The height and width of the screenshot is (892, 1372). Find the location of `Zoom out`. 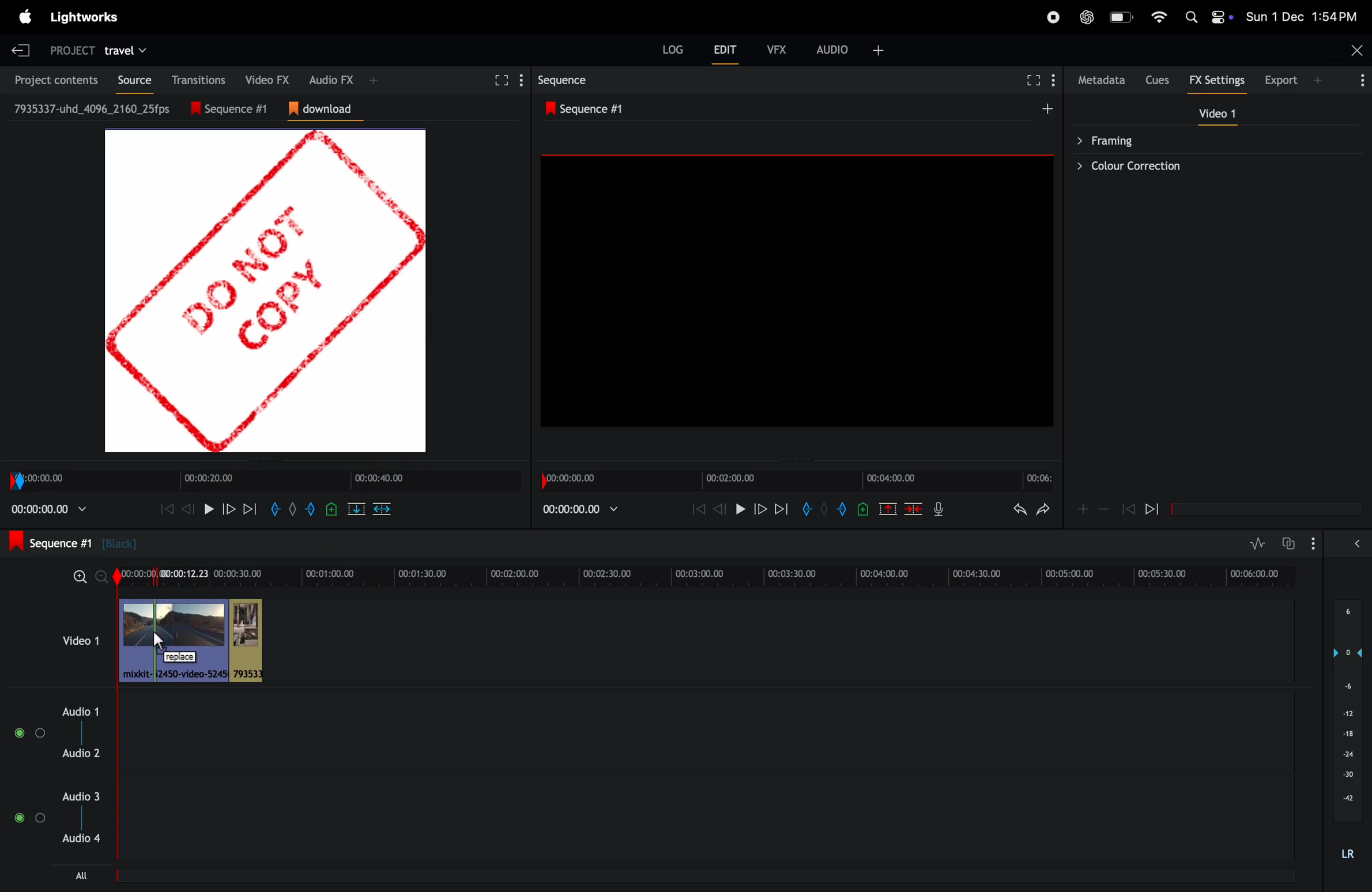

Zoom out is located at coordinates (101, 577).